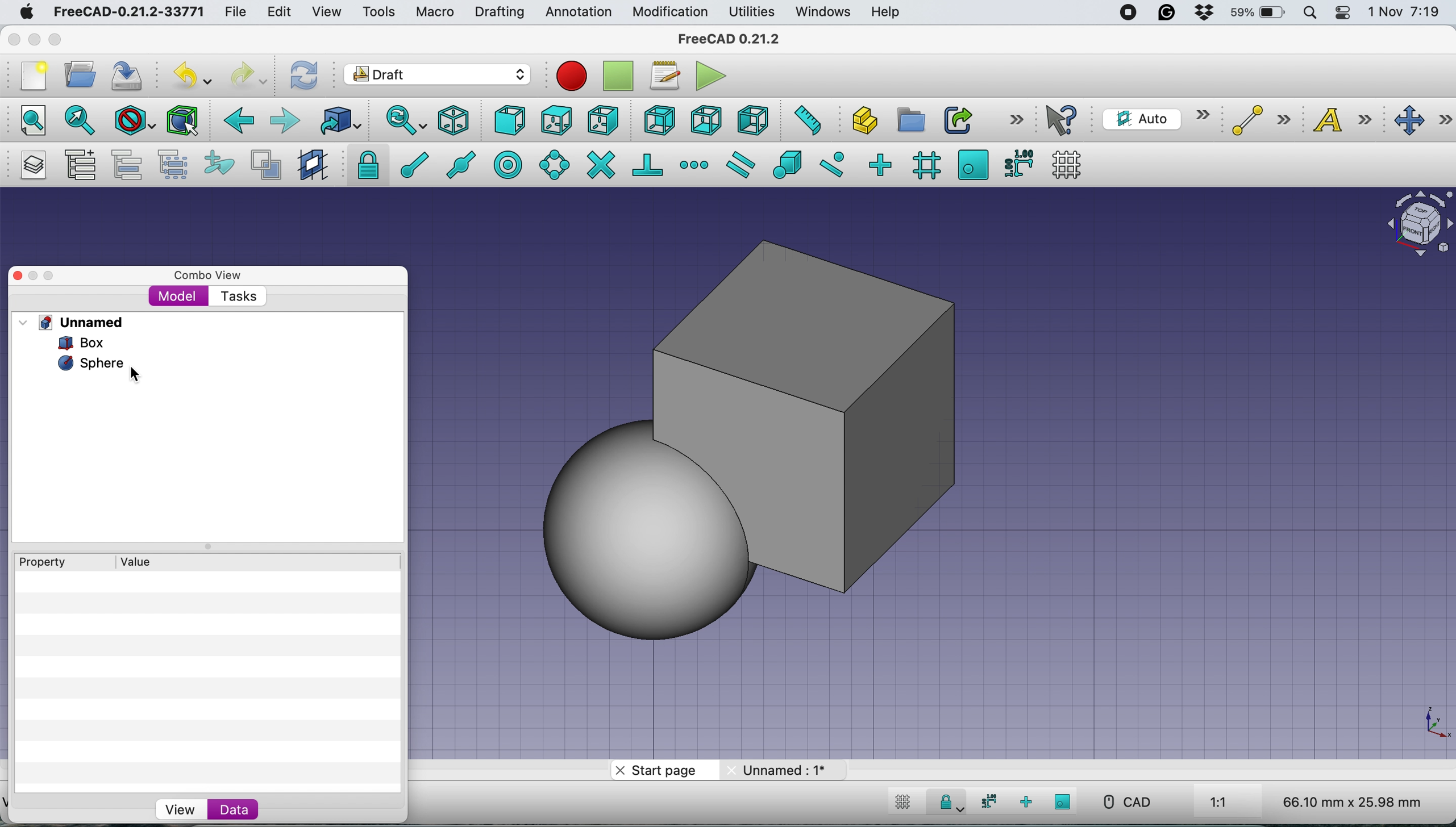 This screenshot has height=827, width=1456. Describe the element at coordinates (1063, 801) in the screenshot. I see `snap working plane` at that location.